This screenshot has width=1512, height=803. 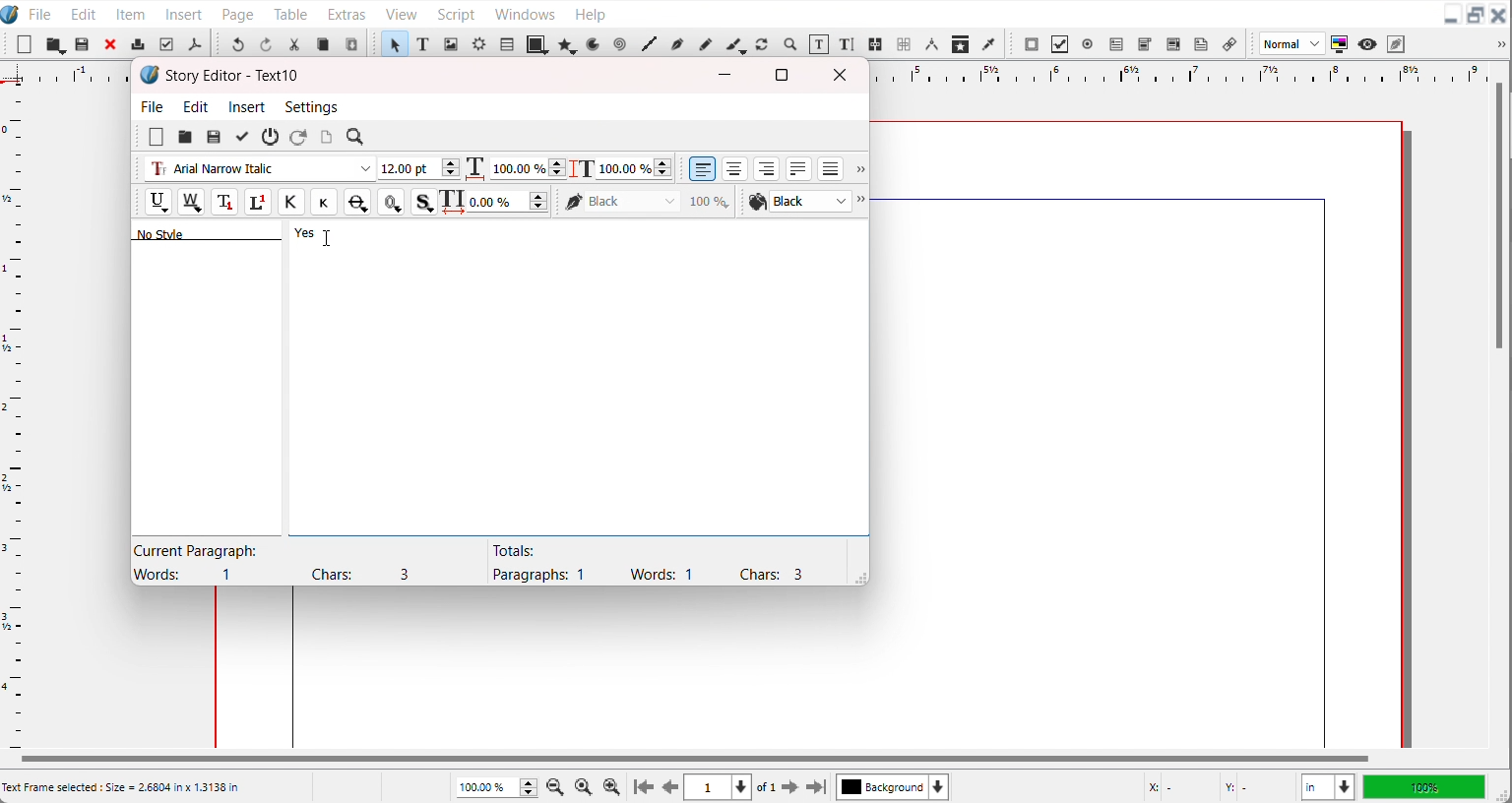 What do you see at coordinates (265, 43) in the screenshot?
I see `Redo` at bounding box center [265, 43].